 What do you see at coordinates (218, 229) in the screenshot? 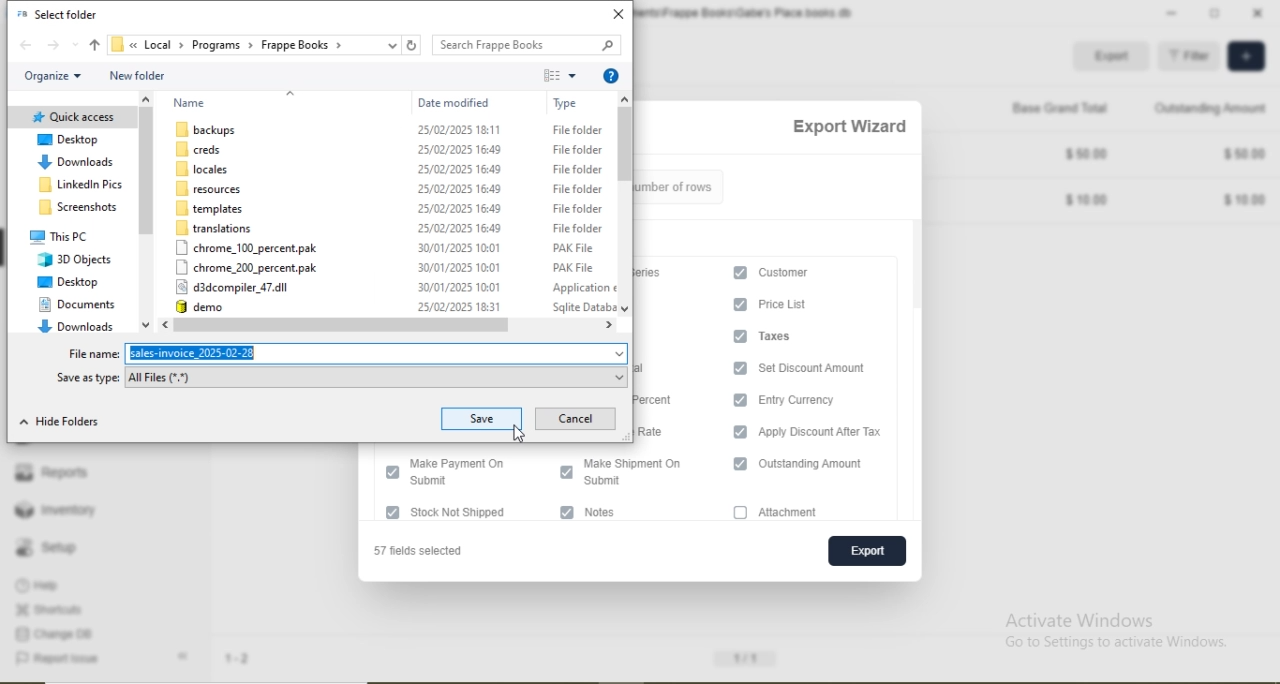
I see `tranclations` at bounding box center [218, 229].